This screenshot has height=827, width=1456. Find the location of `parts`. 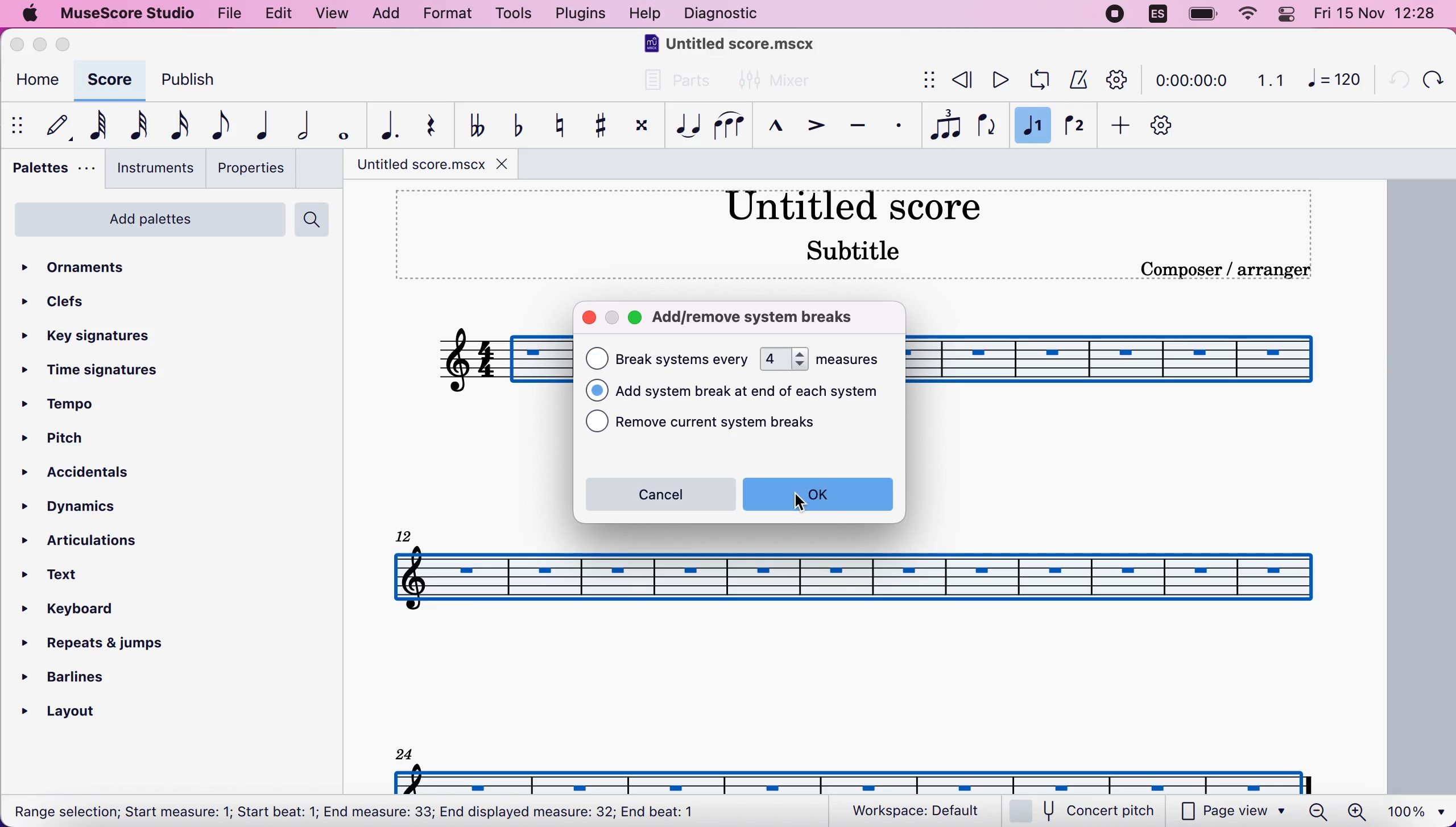

parts is located at coordinates (671, 85).